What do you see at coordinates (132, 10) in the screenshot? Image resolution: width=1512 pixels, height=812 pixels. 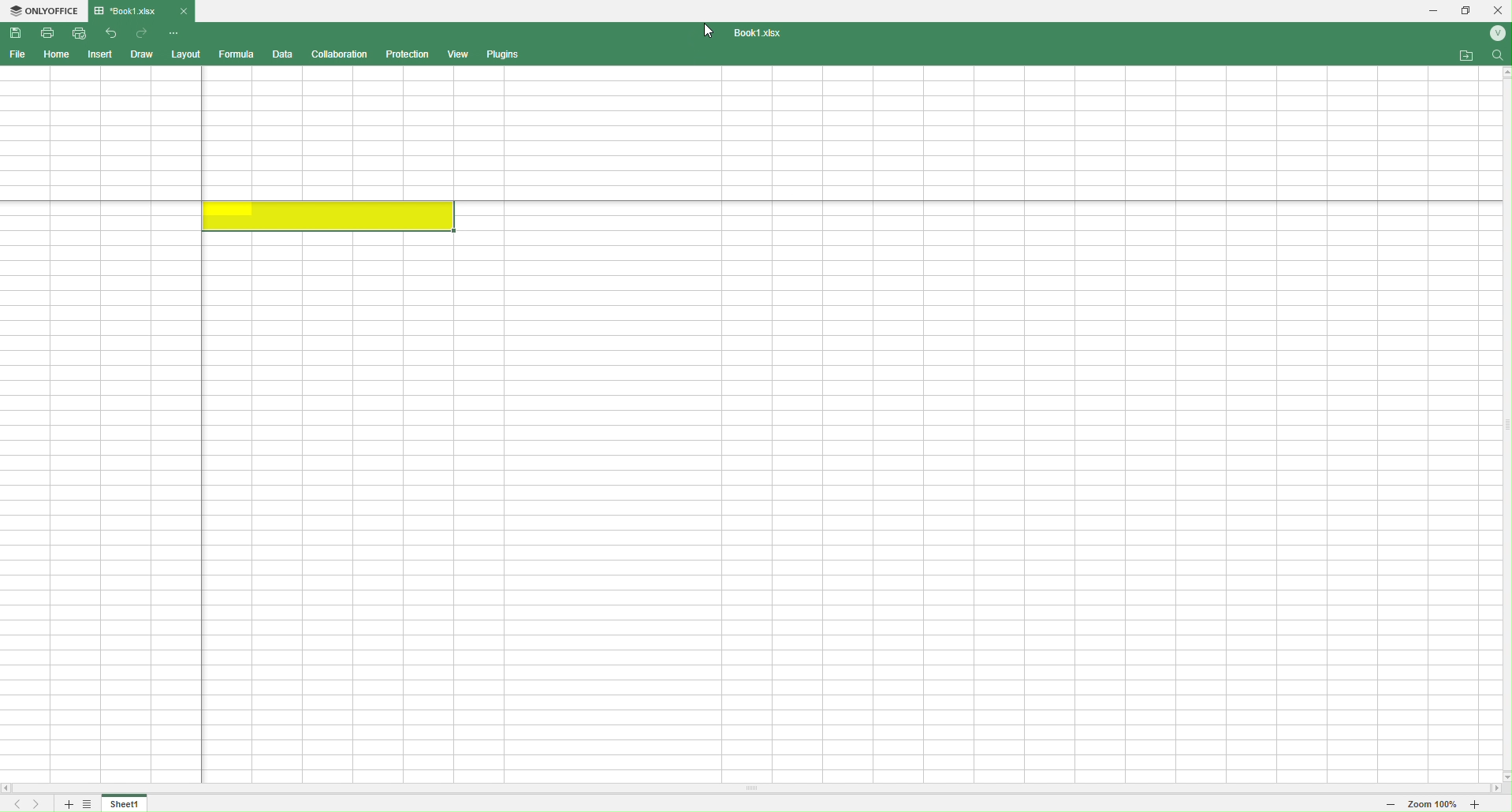 I see `Book1.xlsx` at bounding box center [132, 10].